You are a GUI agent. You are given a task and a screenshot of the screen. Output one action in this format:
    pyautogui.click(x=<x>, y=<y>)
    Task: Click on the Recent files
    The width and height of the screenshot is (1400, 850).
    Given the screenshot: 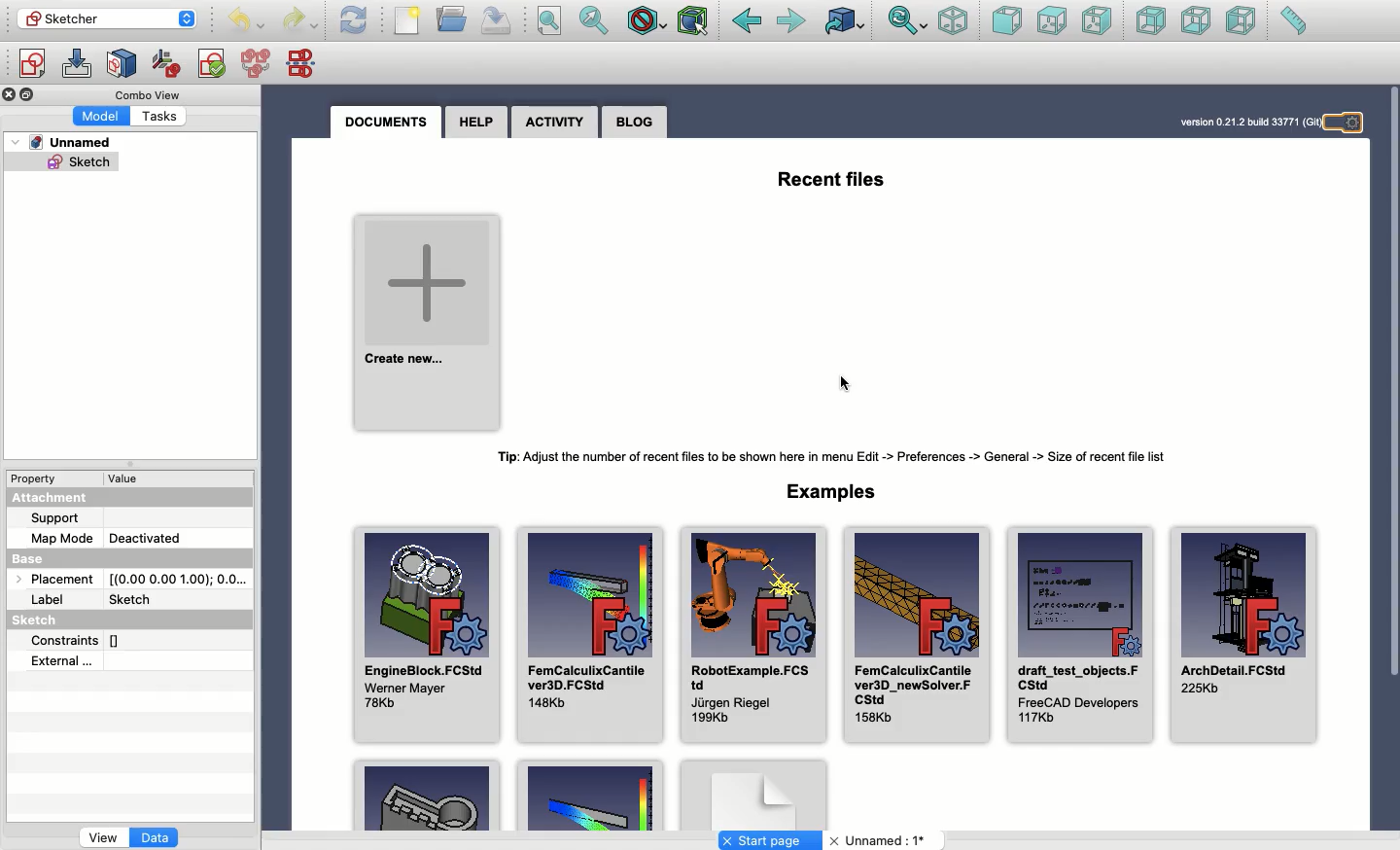 What is the action you would take?
    pyautogui.click(x=833, y=183)
    